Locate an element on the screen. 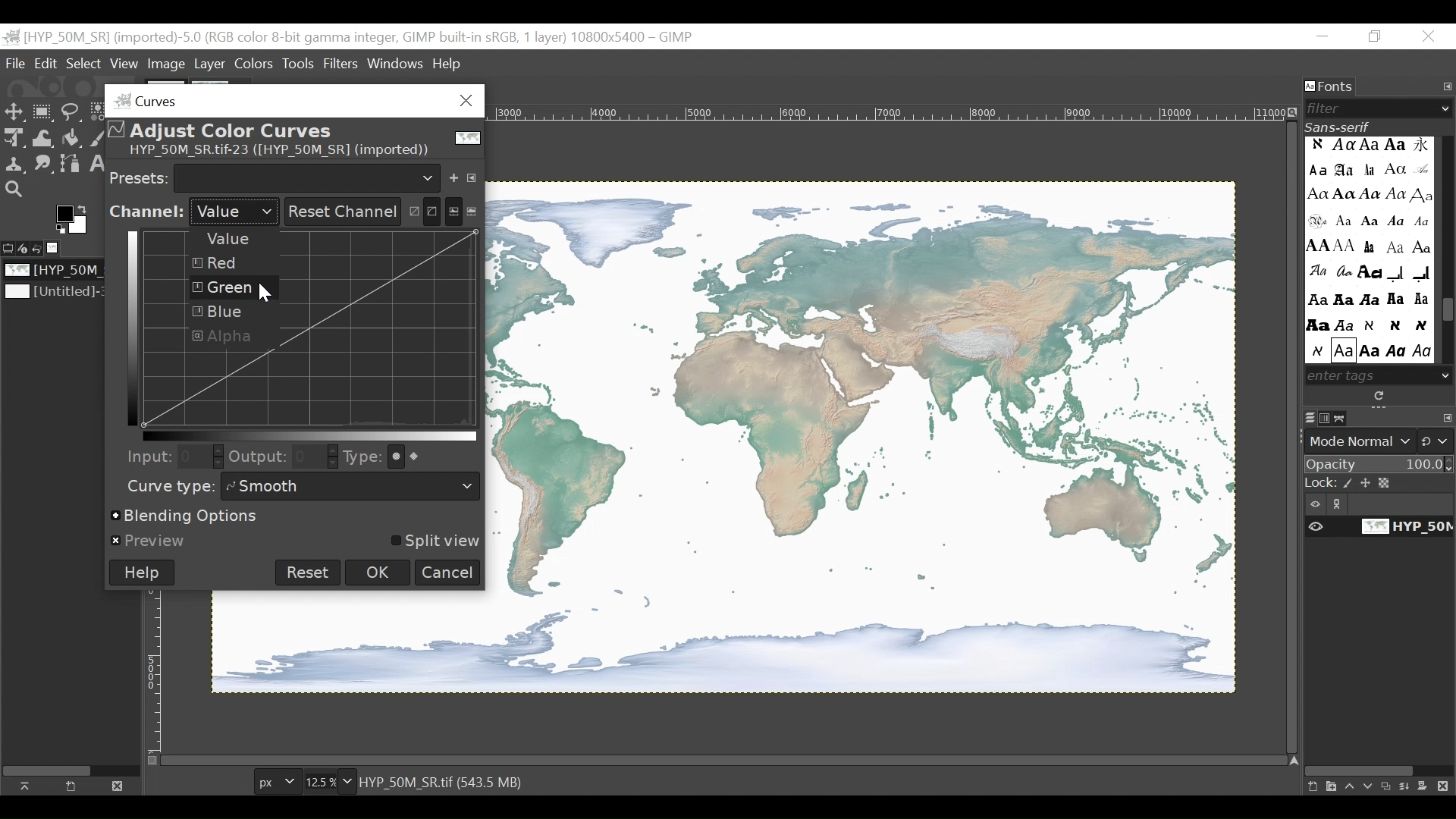 The width and height of the screenshot is (1456, 819). File is located at coordinates (17, 63).